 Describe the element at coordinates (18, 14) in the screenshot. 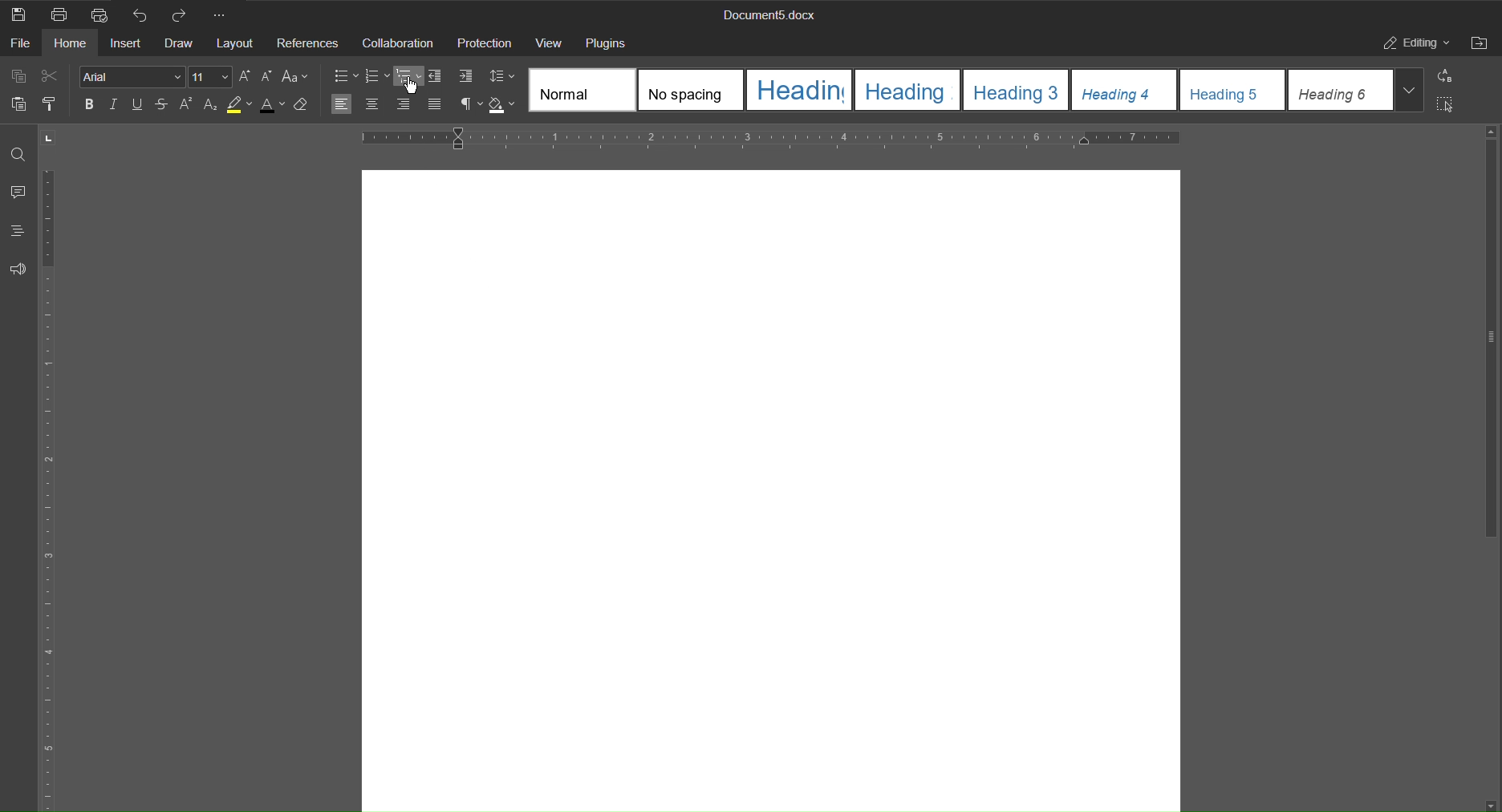

I see `Save` at that location.